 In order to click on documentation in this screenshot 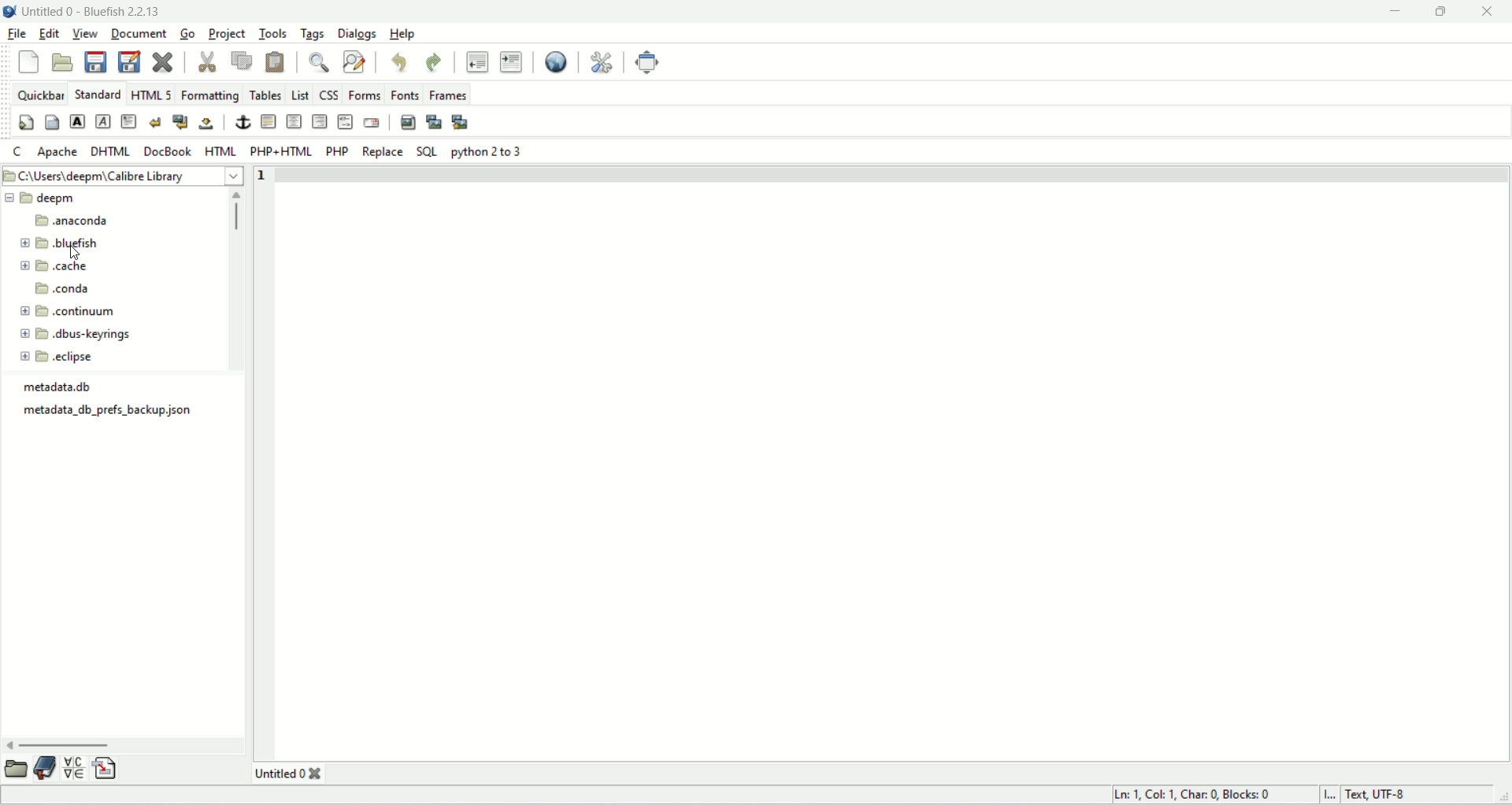, I will do `click(46, 768)`.